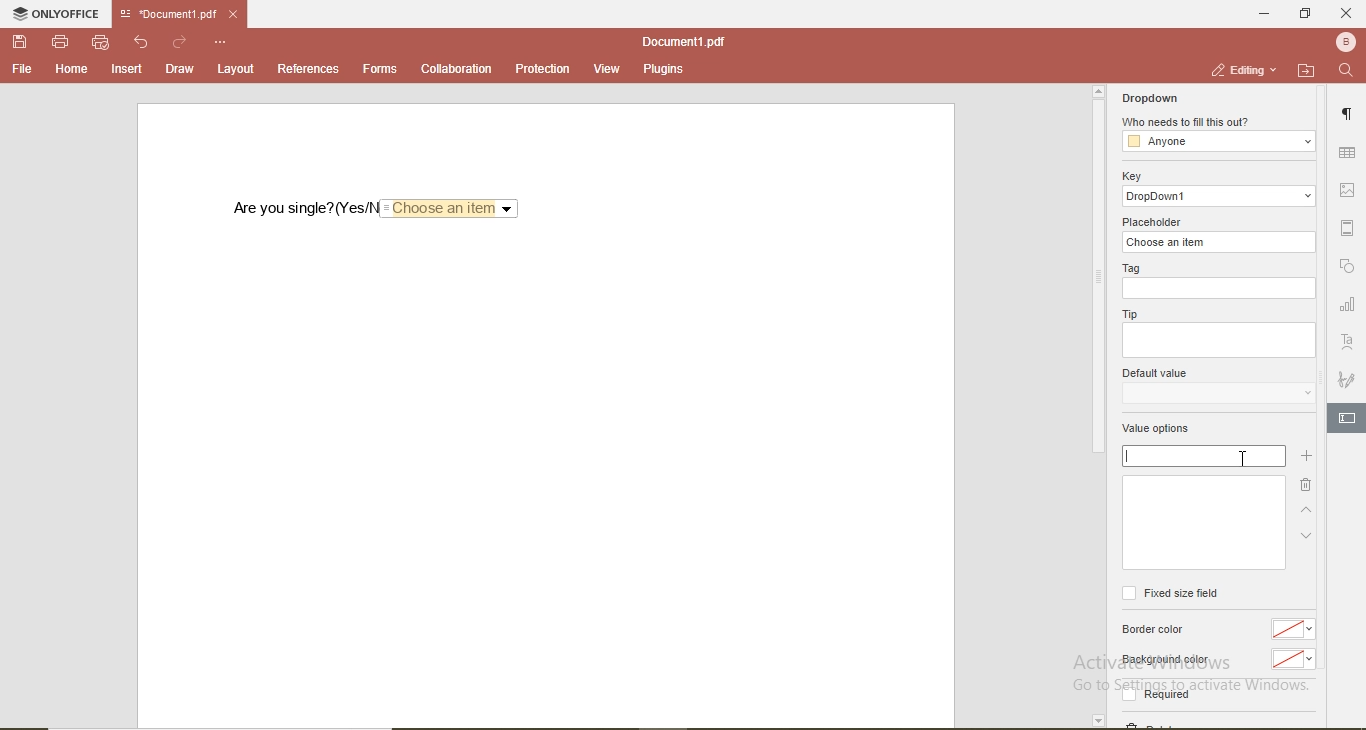 The height and width of the screenshot is (730, 1366). I want to click on border color, so click(1154, 632).